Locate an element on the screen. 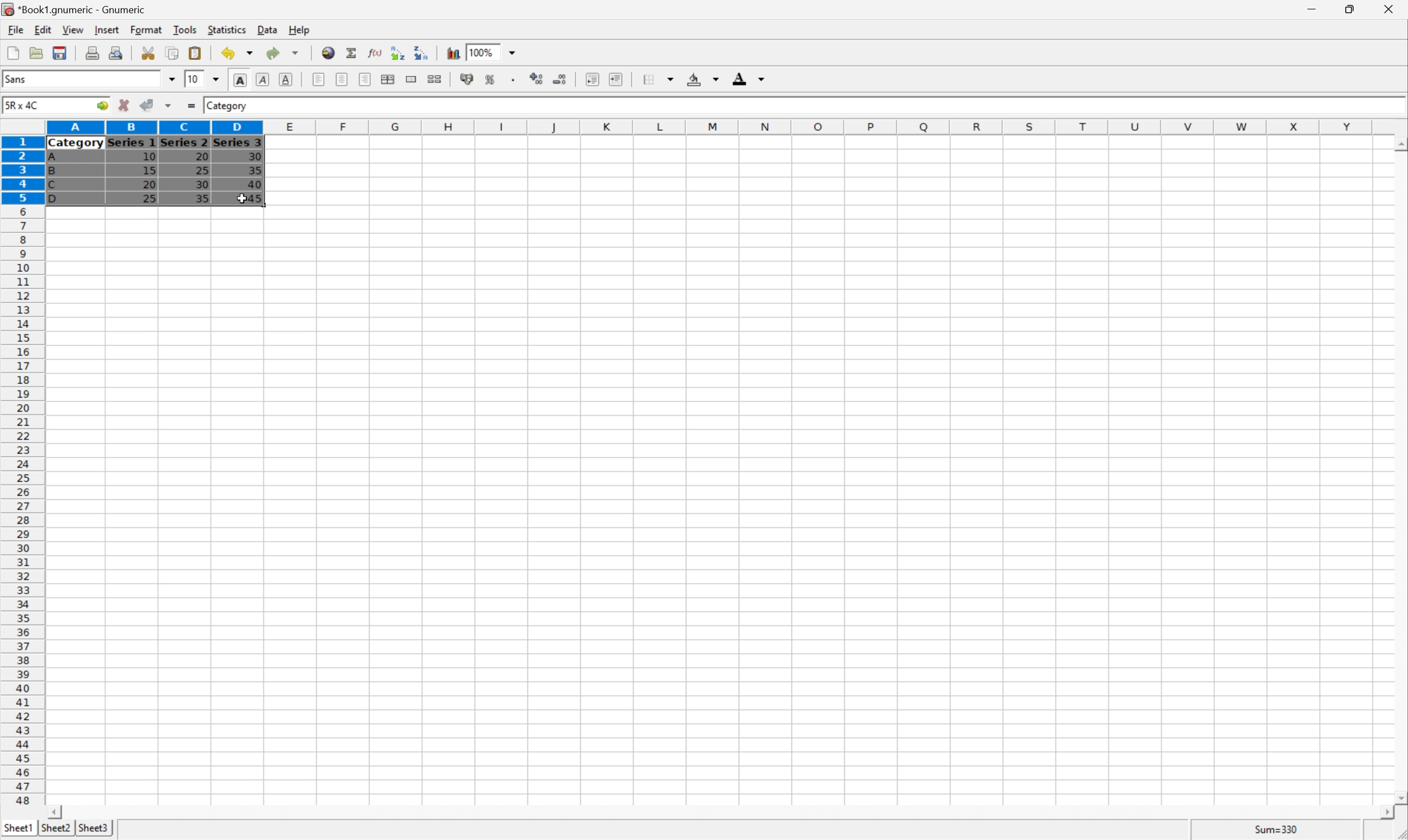  Borders is located at coordinates (661, 78).